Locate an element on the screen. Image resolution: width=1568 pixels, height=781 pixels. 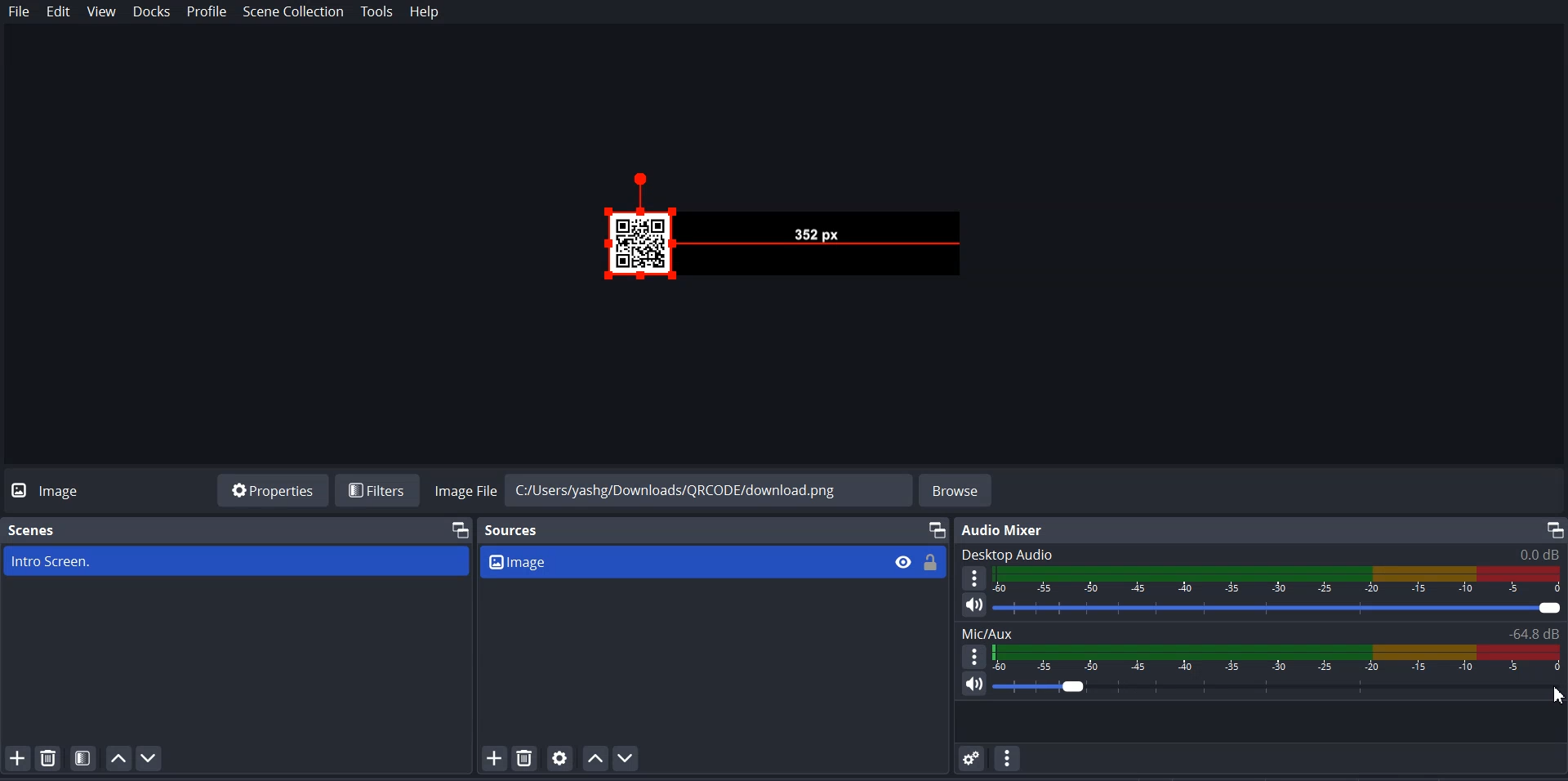
Add Scene is located at coordinates (17, 757).